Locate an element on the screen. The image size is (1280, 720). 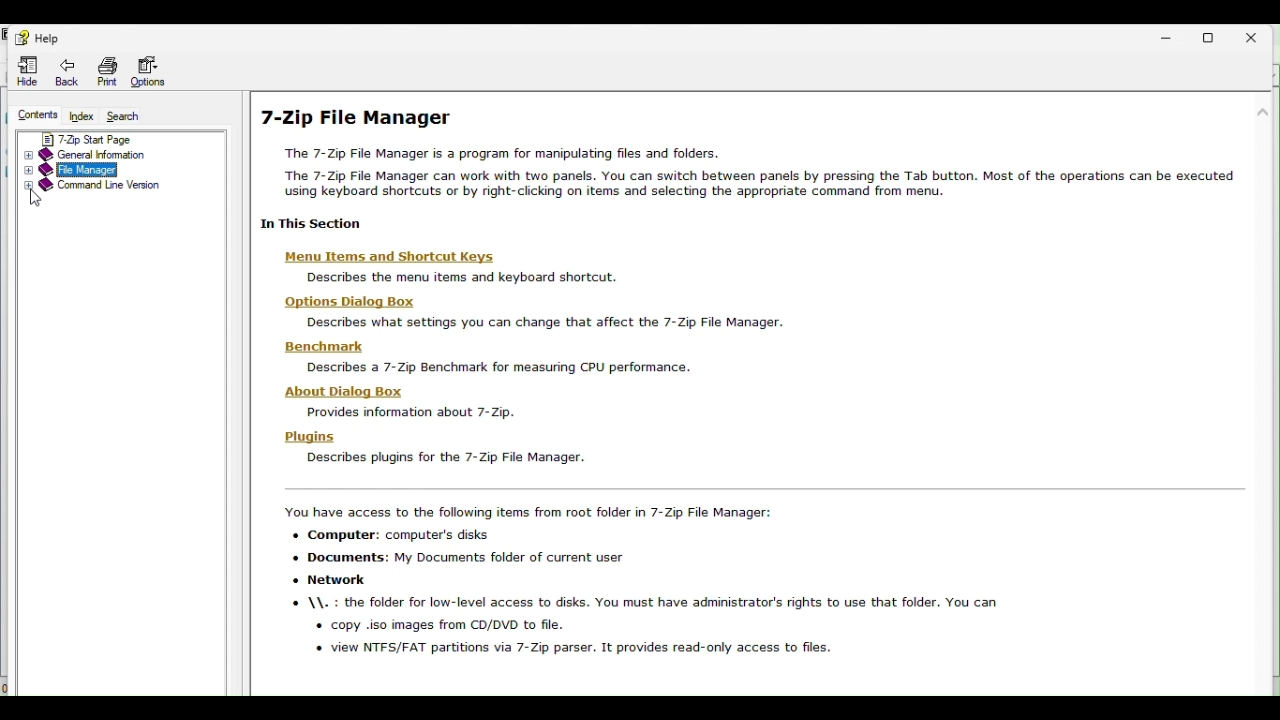
Describes the menu items and keyboard shortcut. is located at coordinates (463, 277).